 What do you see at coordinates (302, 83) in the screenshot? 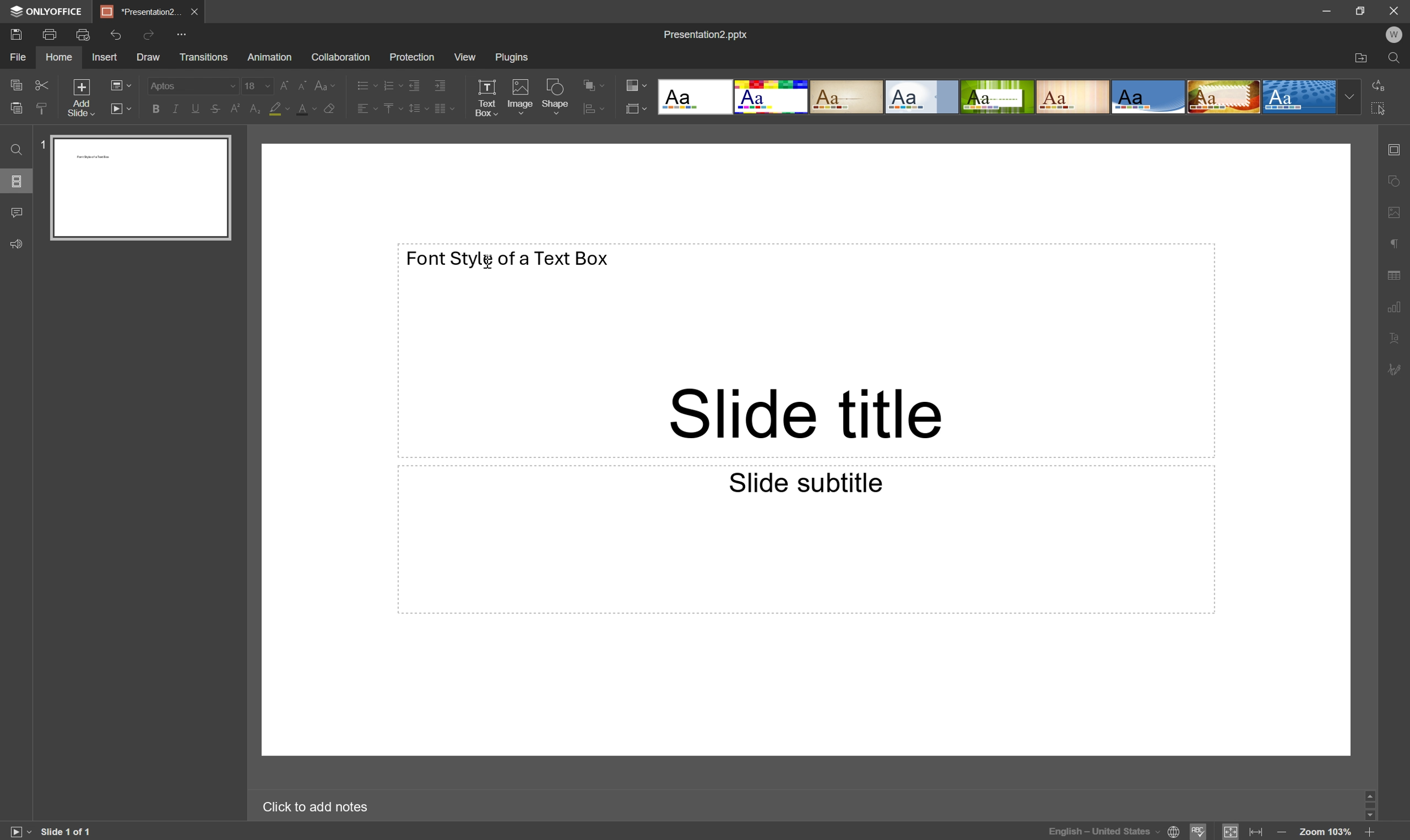
I see `Decrement font size` at bounding box center [302, 83].